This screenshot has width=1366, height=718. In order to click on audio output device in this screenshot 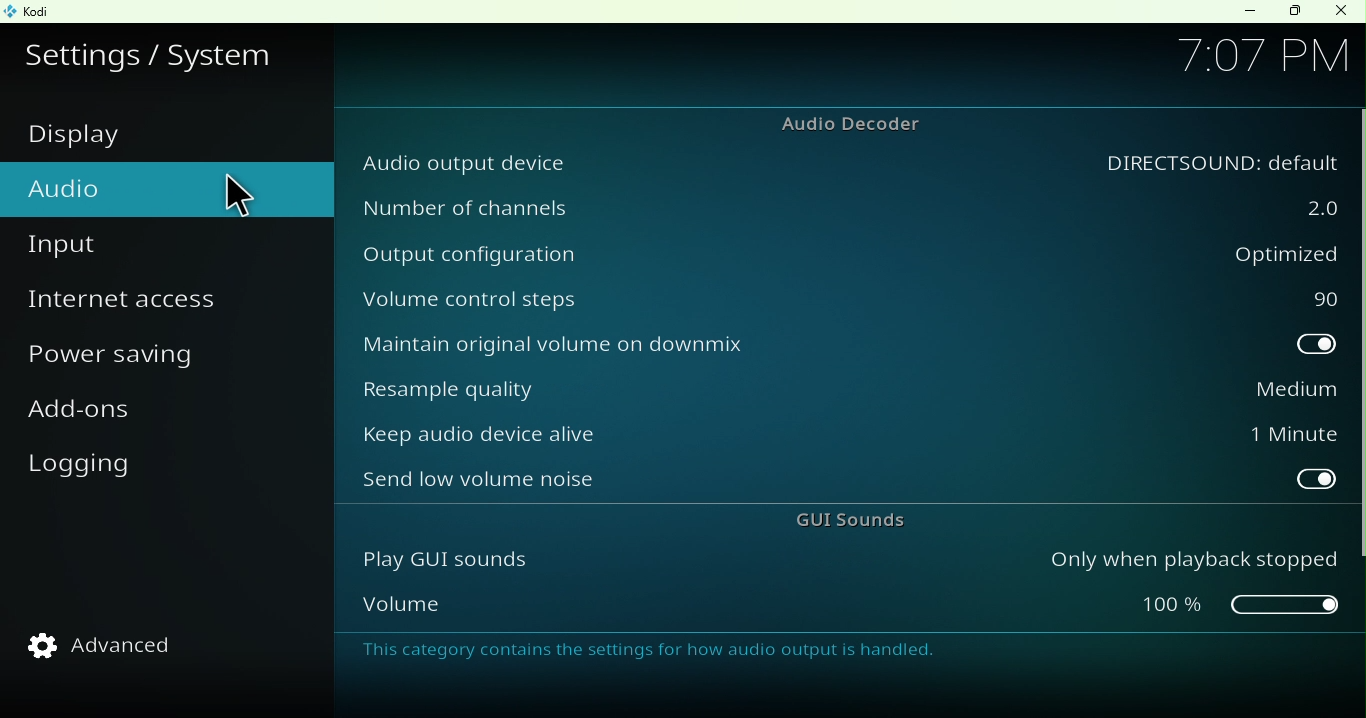, I will do `click(1215, 157)`.